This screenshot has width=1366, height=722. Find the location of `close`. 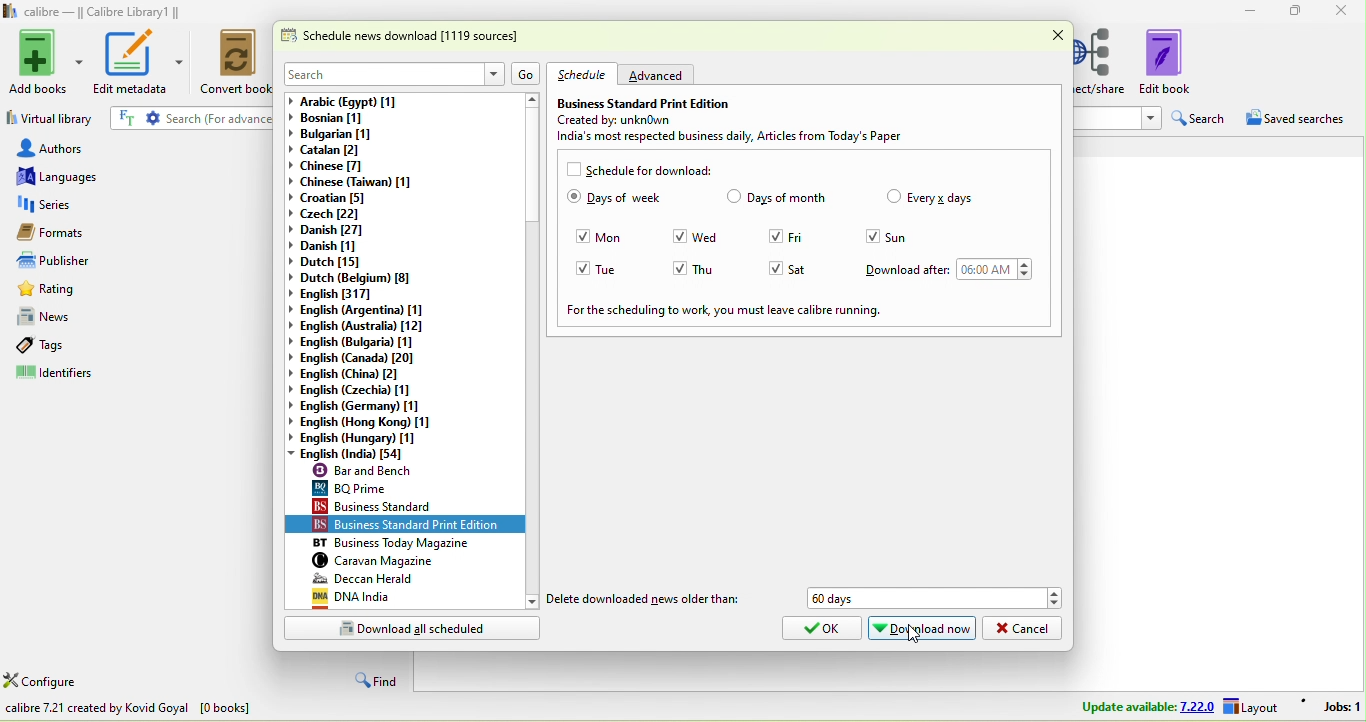

close is located at coordinates (1341, 12).